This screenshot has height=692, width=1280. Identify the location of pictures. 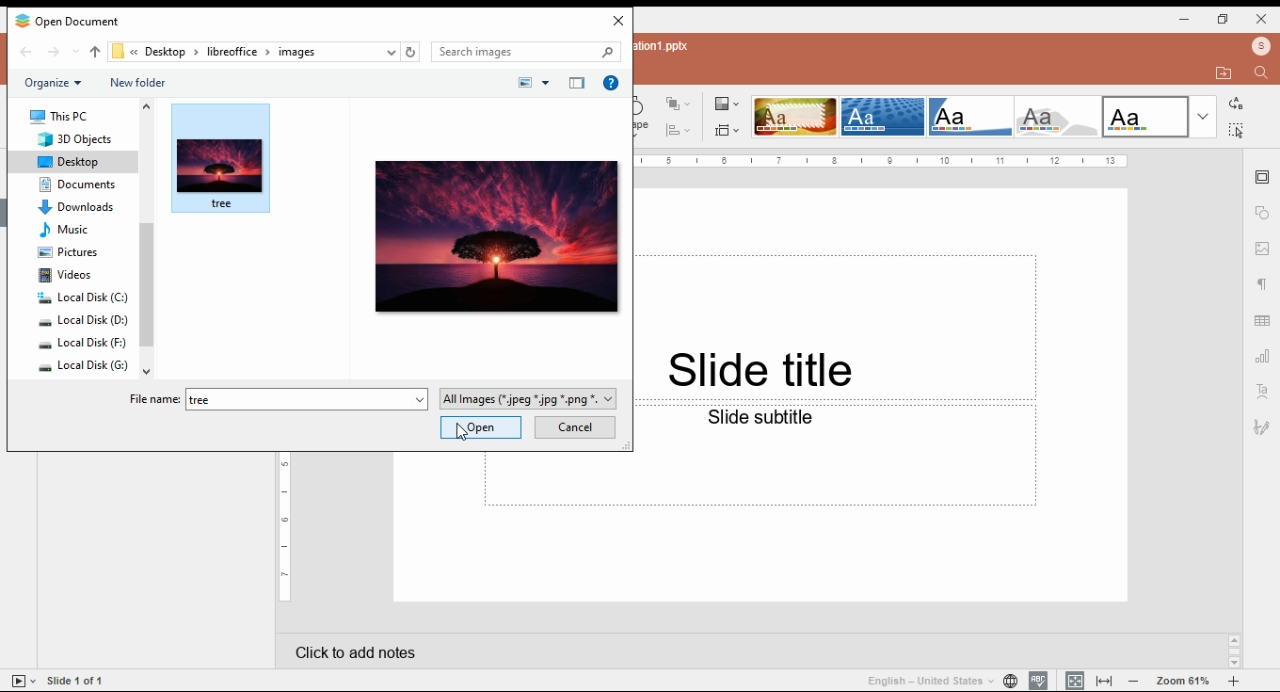
(66, 251).